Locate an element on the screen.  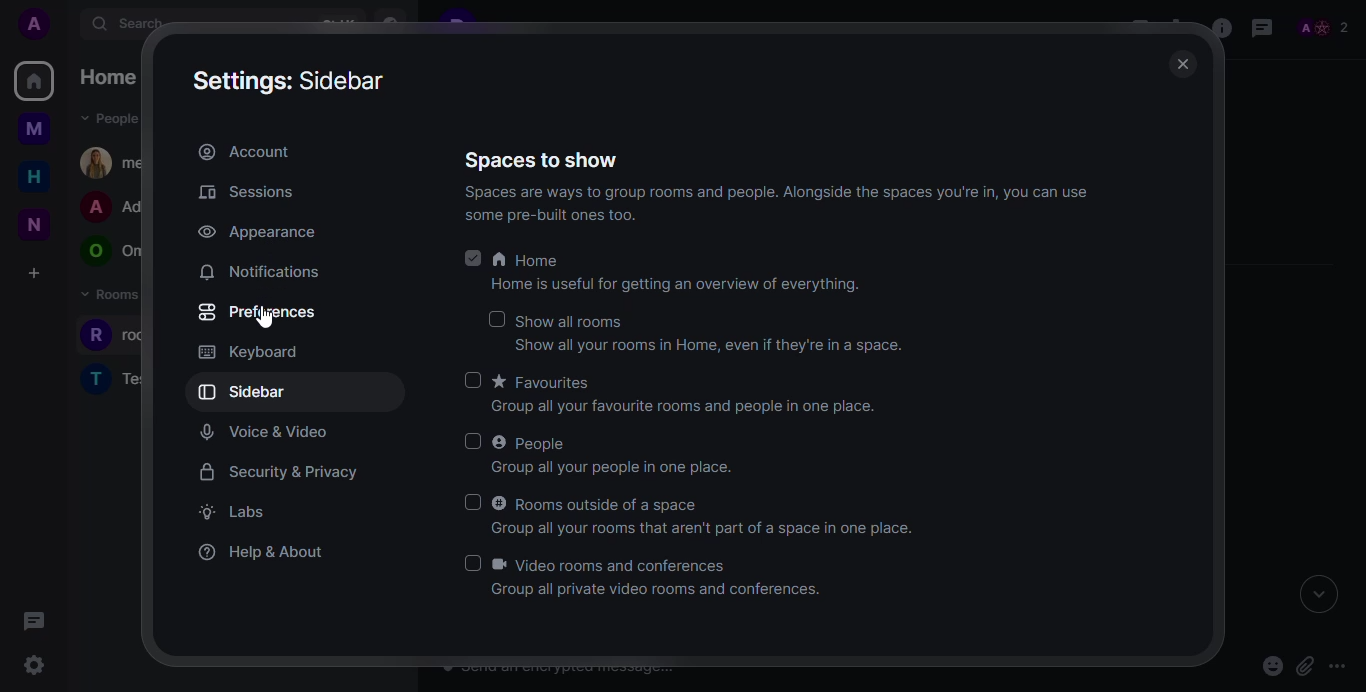
settings:sidebar is located at coordinates (296, 79).